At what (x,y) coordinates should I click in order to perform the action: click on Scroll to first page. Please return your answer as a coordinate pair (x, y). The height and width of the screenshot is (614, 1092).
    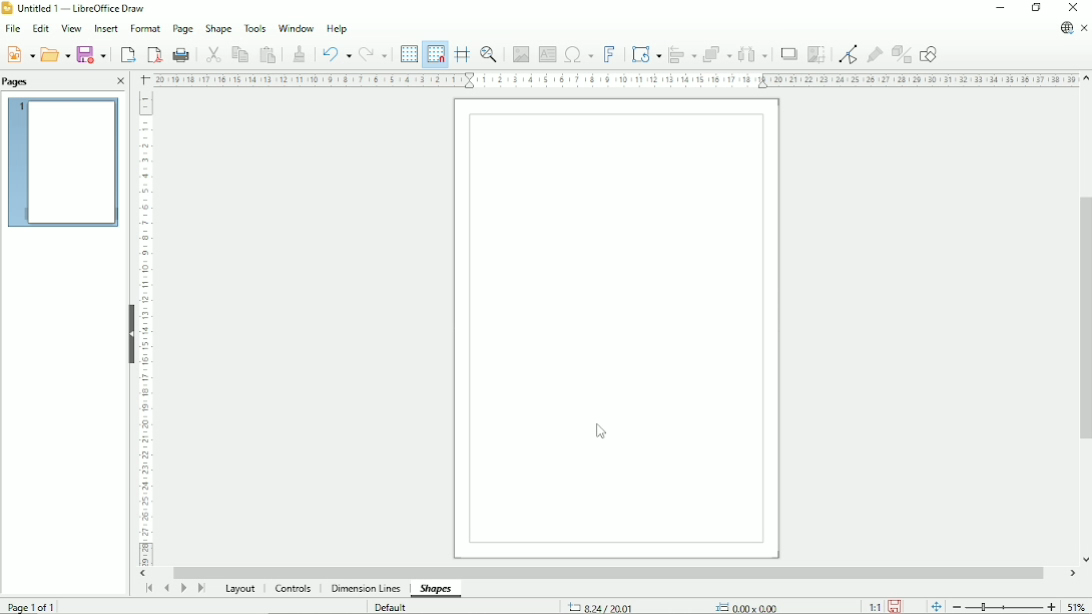
    Looking at the image, I should click on (148, 589).